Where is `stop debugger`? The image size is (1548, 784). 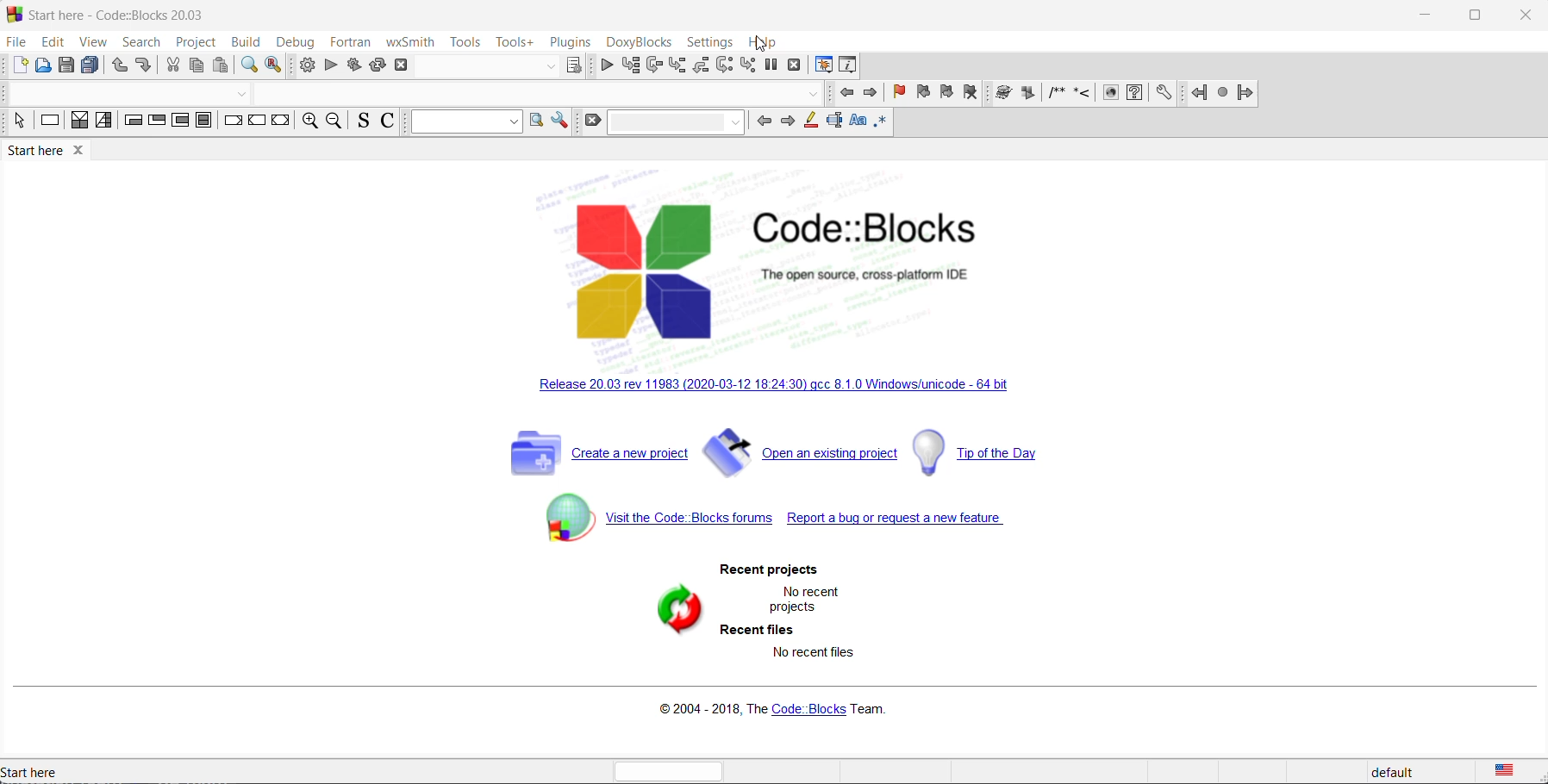 stop debugger is located at coordinates (795, 67).